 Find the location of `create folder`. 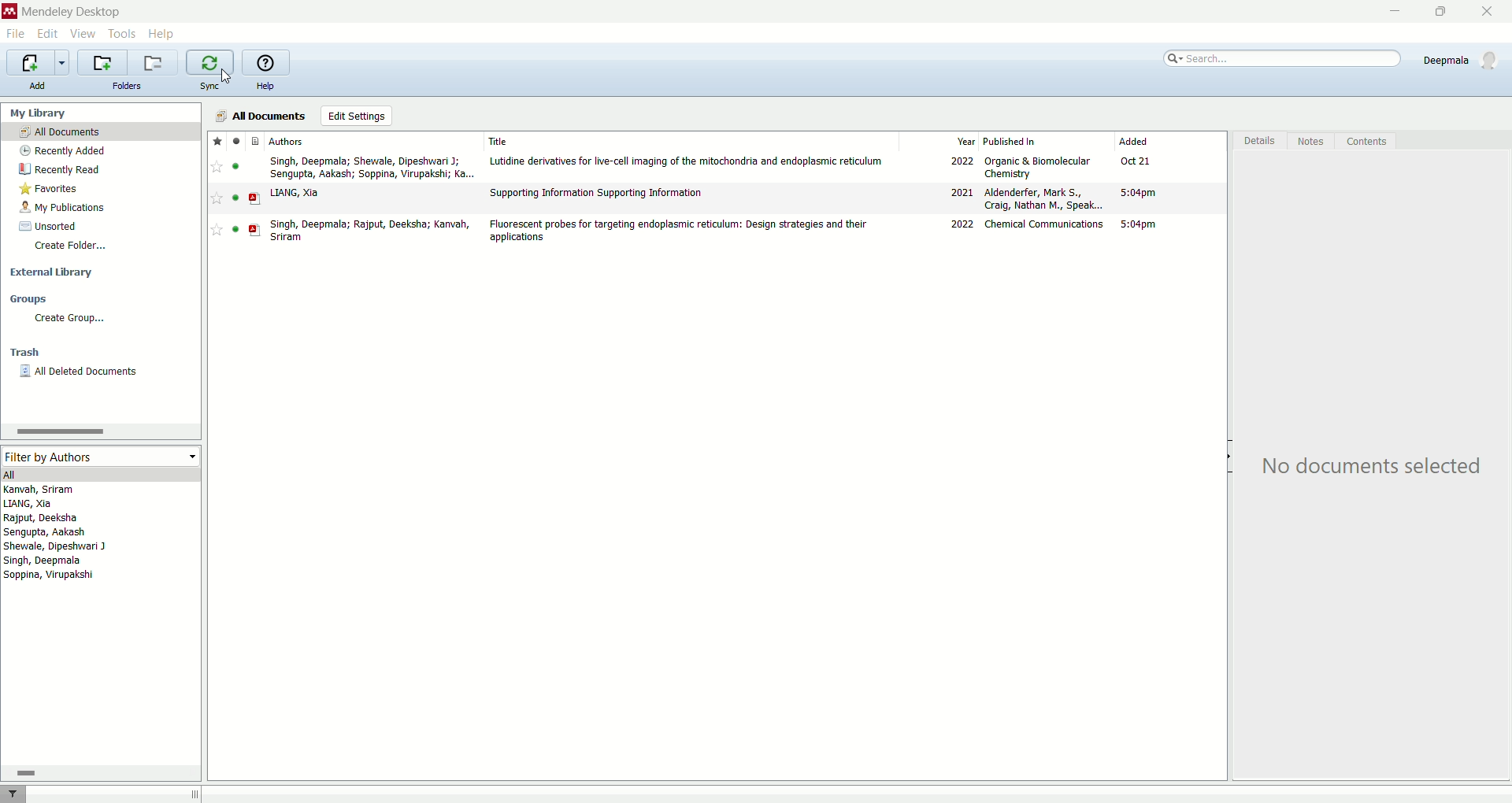

create folder is located at coordinates (71, 245).